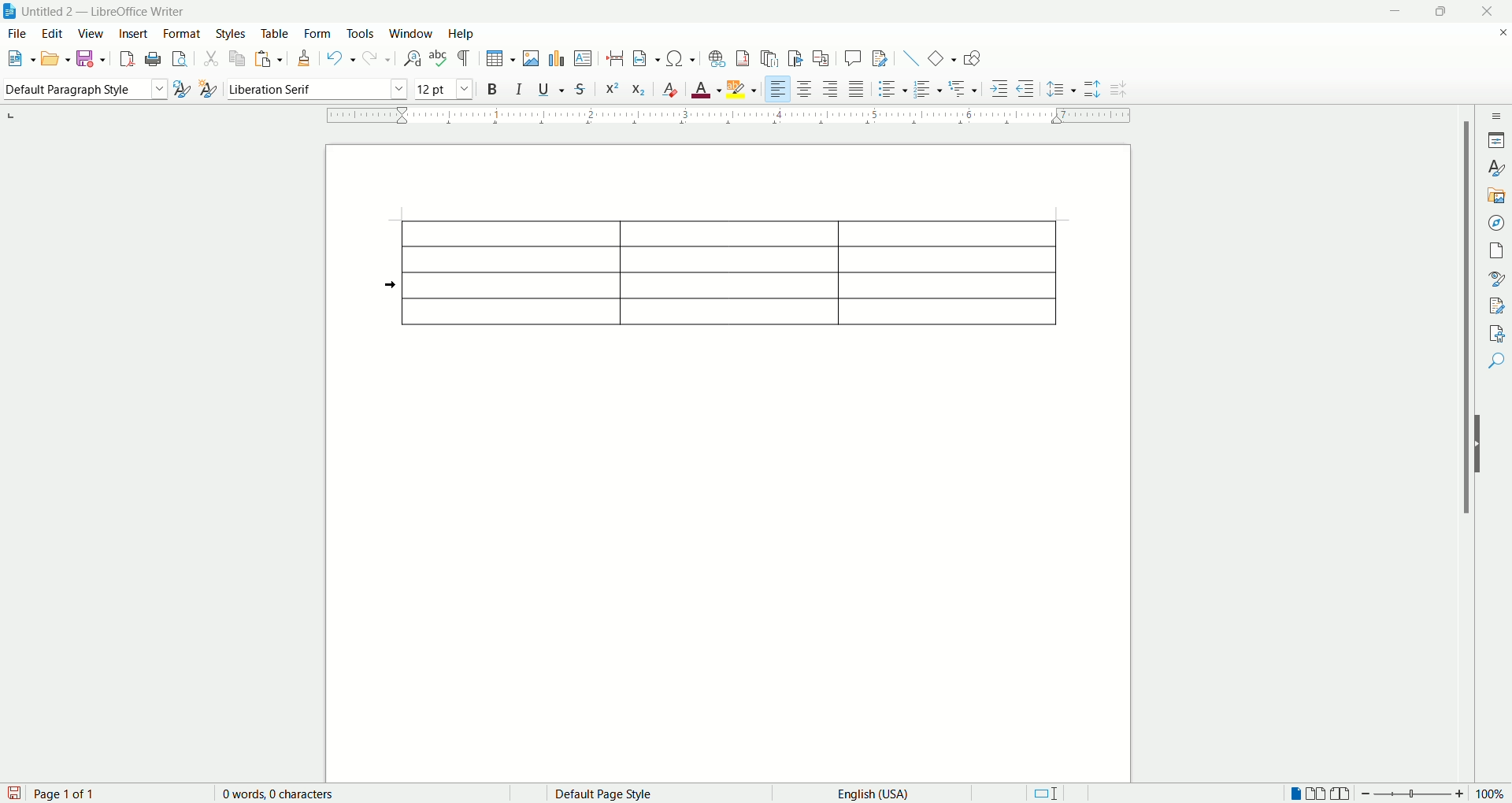  What do you see at coordinates (1466, 446) in the screenshot?
I see `vertical scroll bar` at bounding box center [1466, 446].